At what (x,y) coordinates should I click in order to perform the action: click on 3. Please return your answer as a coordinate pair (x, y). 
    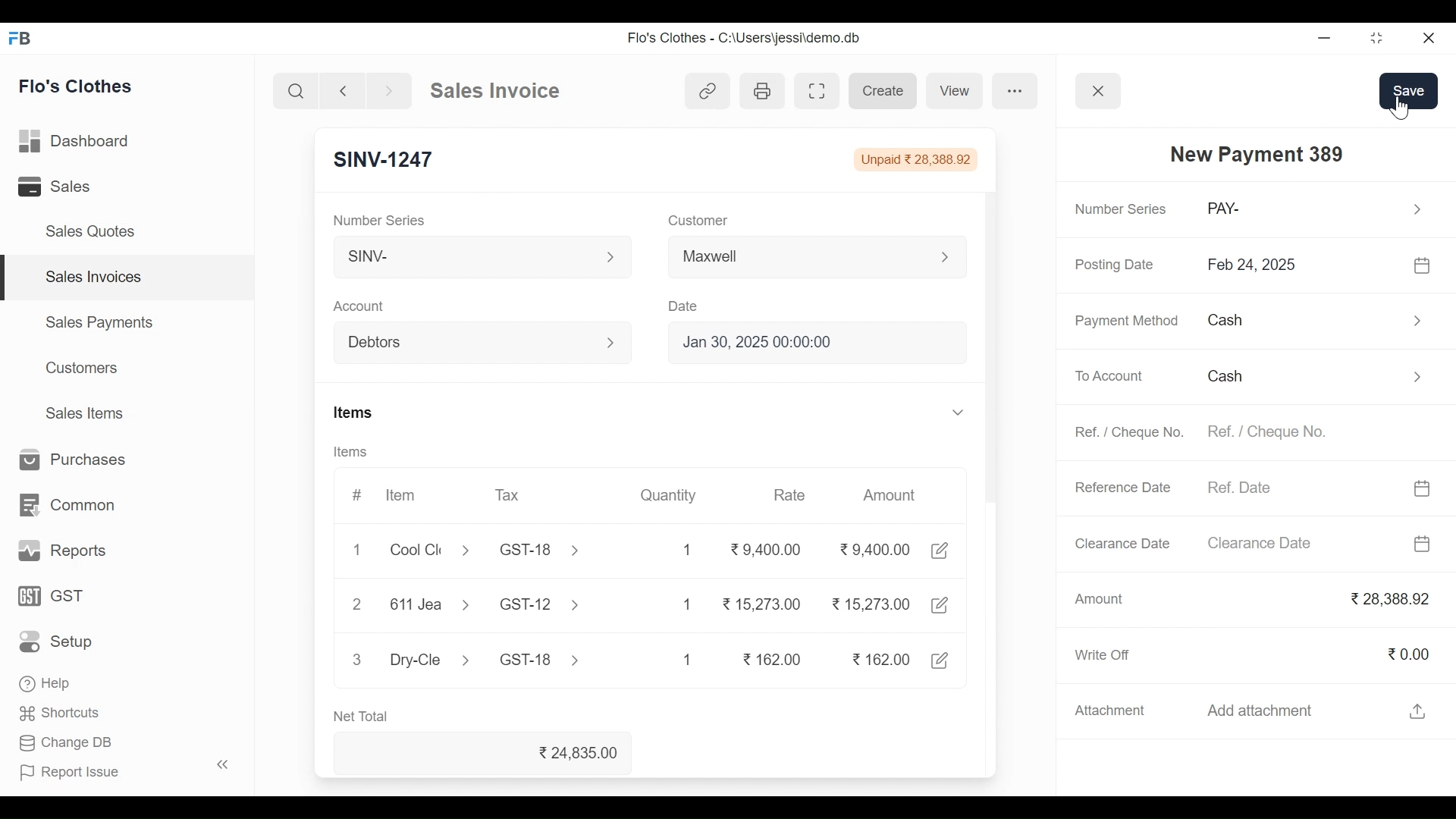
    Looking at the image, I should click on (357, 657).